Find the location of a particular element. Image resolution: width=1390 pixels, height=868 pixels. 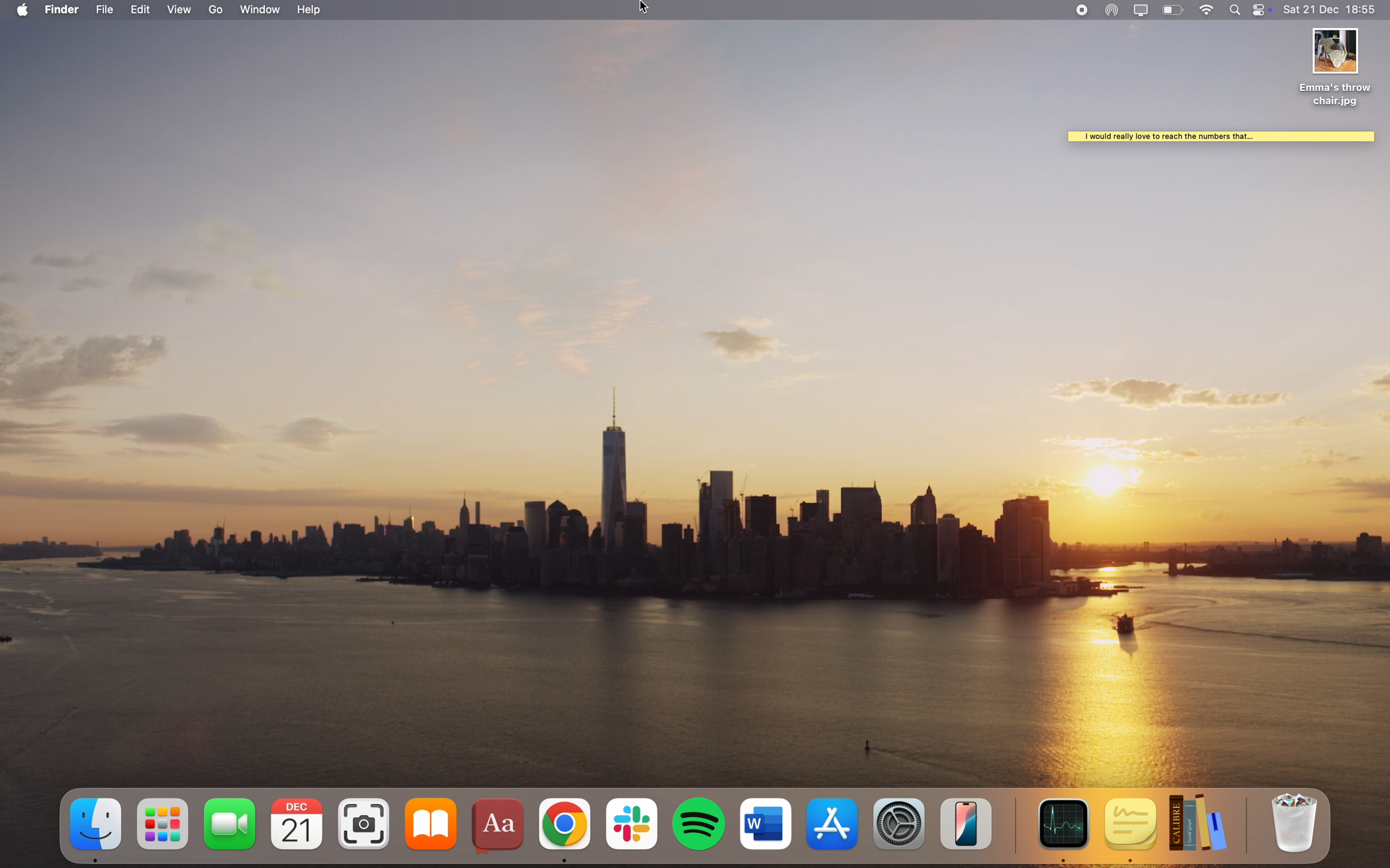

iBooks is located at coordinates (429, 829).